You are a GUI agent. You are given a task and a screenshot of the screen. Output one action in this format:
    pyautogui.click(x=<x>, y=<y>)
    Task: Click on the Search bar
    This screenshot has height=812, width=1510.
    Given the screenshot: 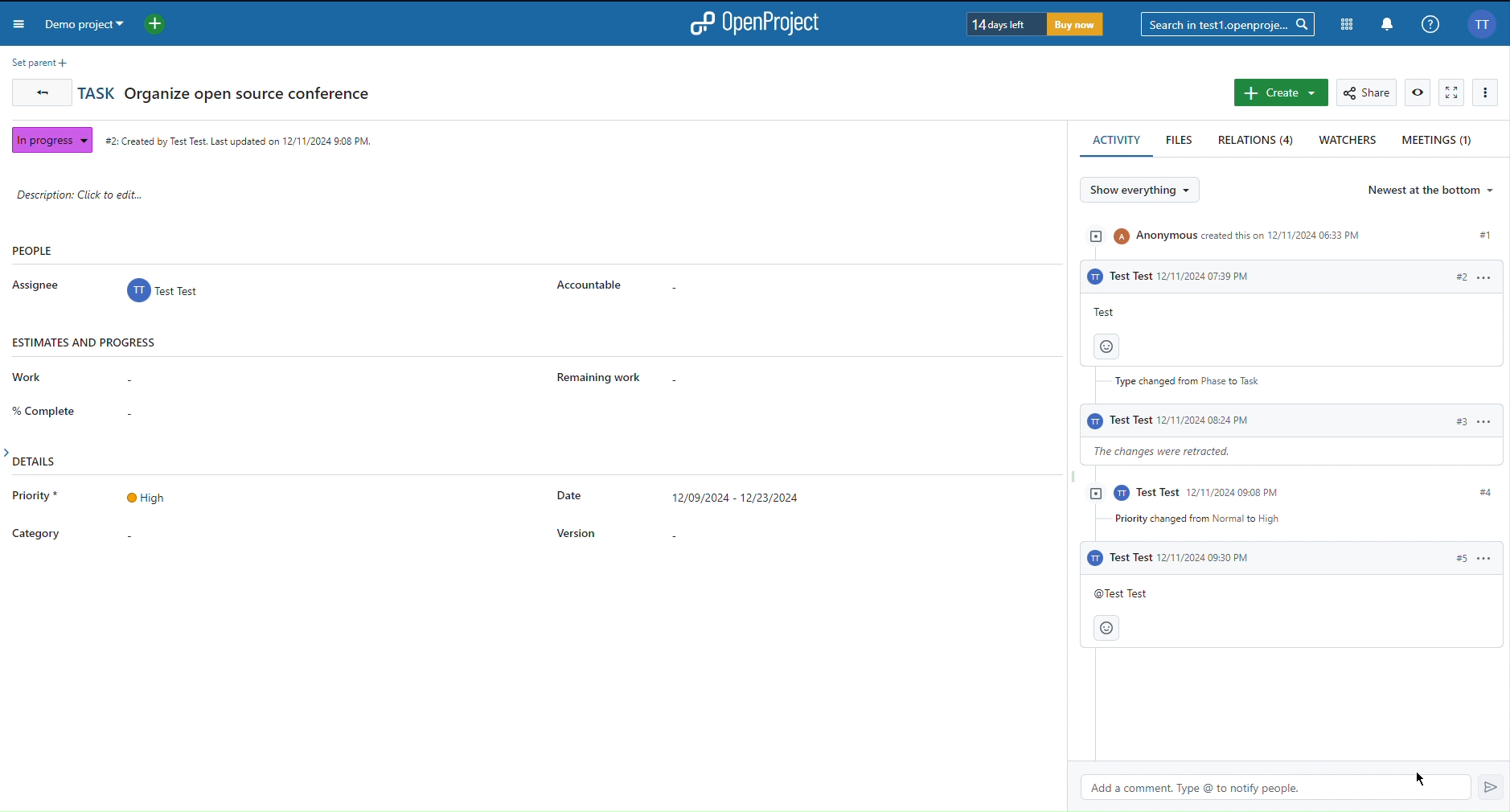 What is the action you would take?
    pyautogui.click(x=1226, y=23)
    